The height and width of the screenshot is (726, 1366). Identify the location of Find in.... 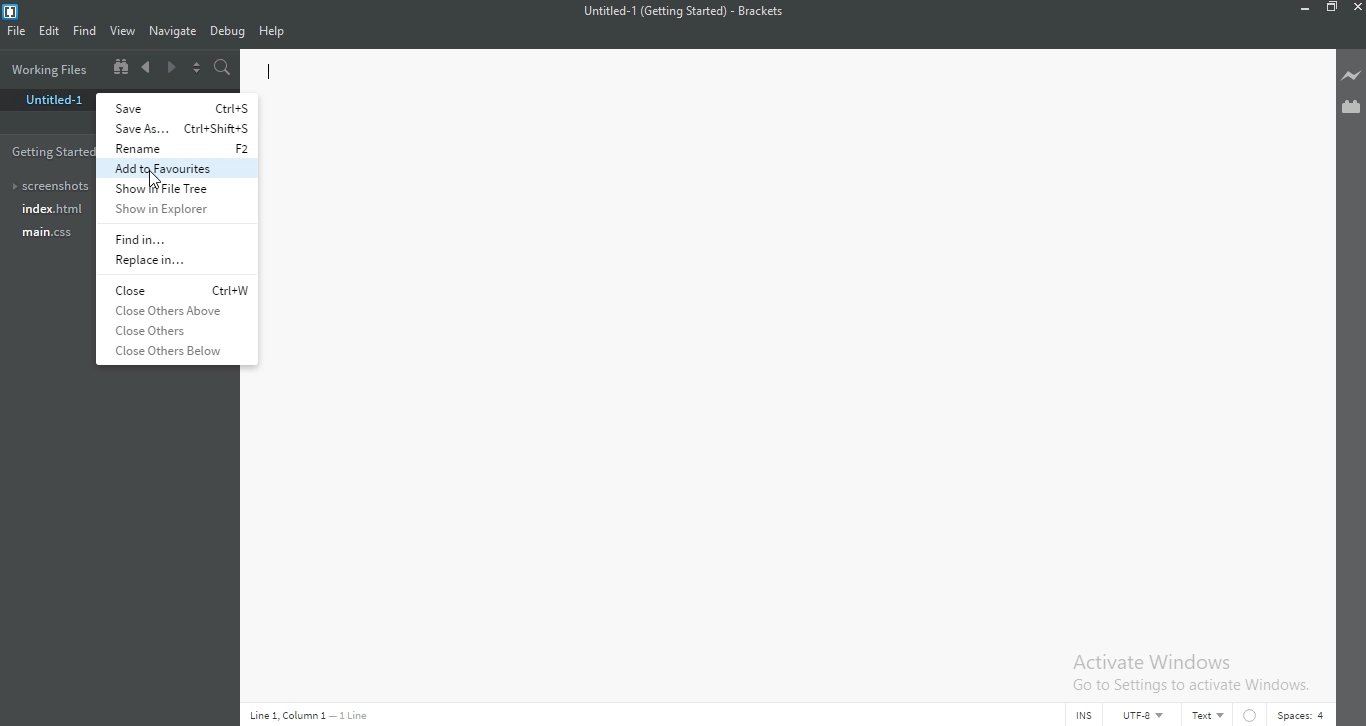
(178, 238).